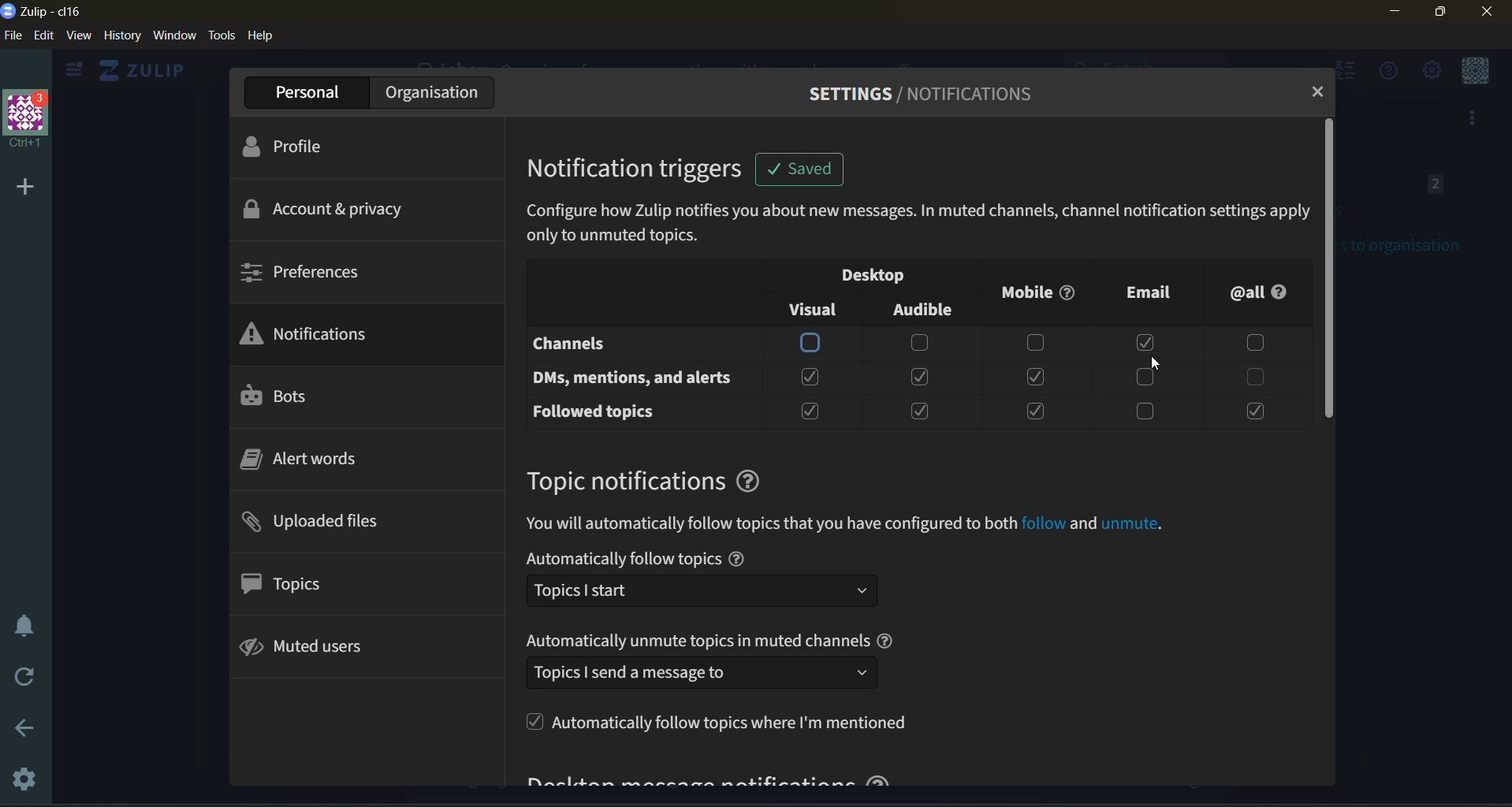 The image size is (1512, 807). Describe the element at coordinates (174, 35) in the screenshot. I see `window` at that location.